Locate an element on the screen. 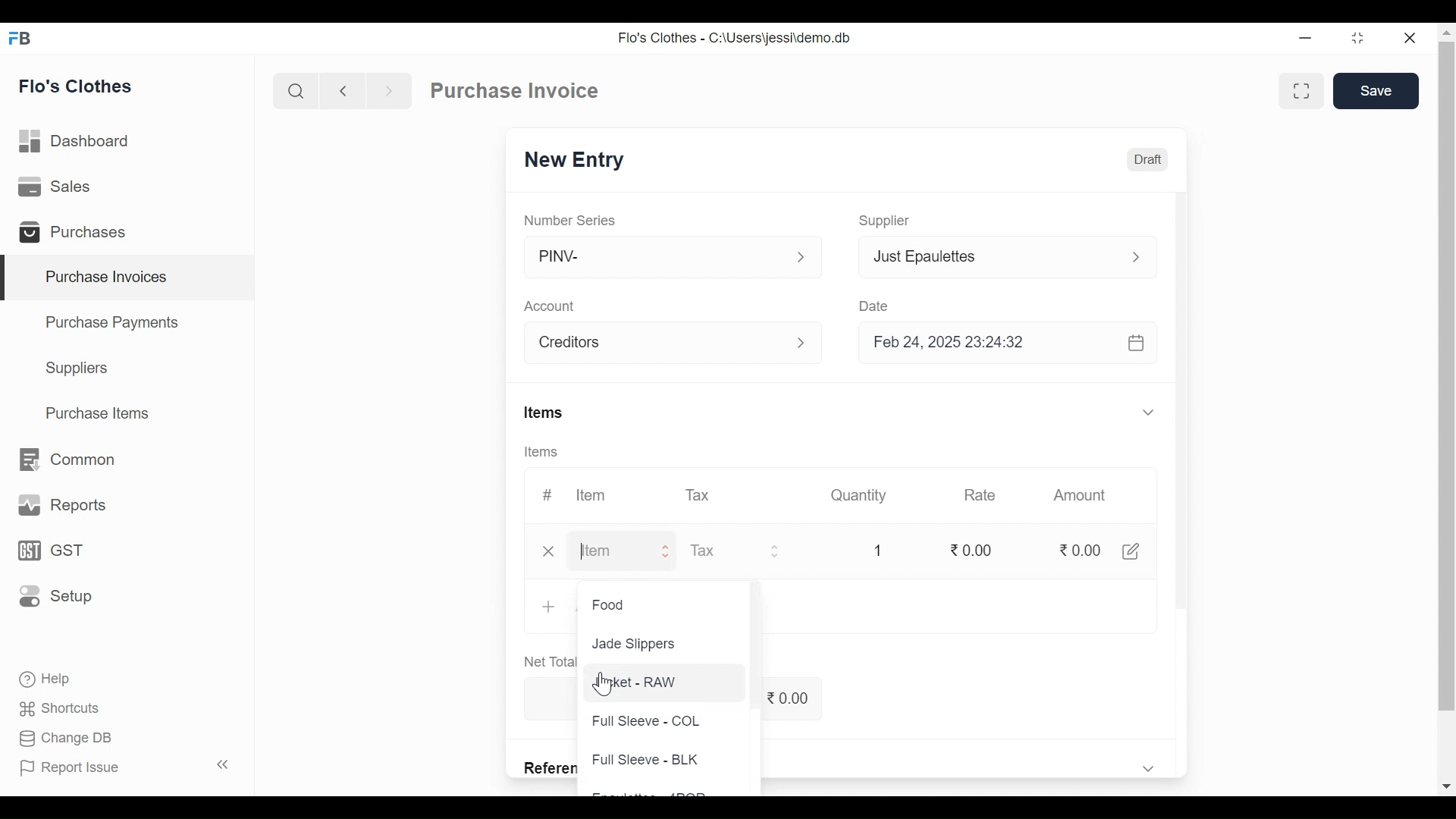 The image size is (1456, 819). Sales is located at coordinates (61, 188).